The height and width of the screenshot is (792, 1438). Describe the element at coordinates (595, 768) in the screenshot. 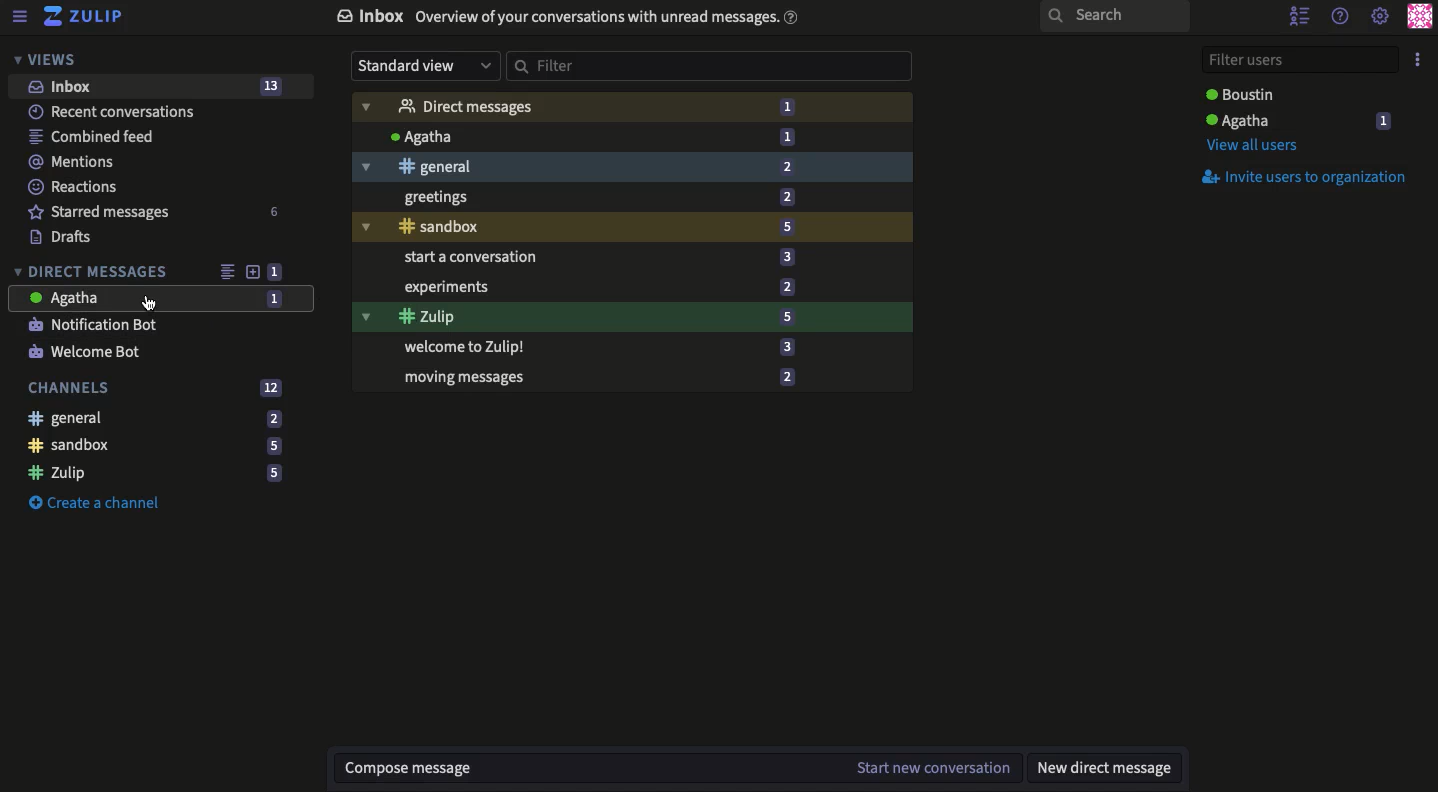

I see `Compose message` at that location.